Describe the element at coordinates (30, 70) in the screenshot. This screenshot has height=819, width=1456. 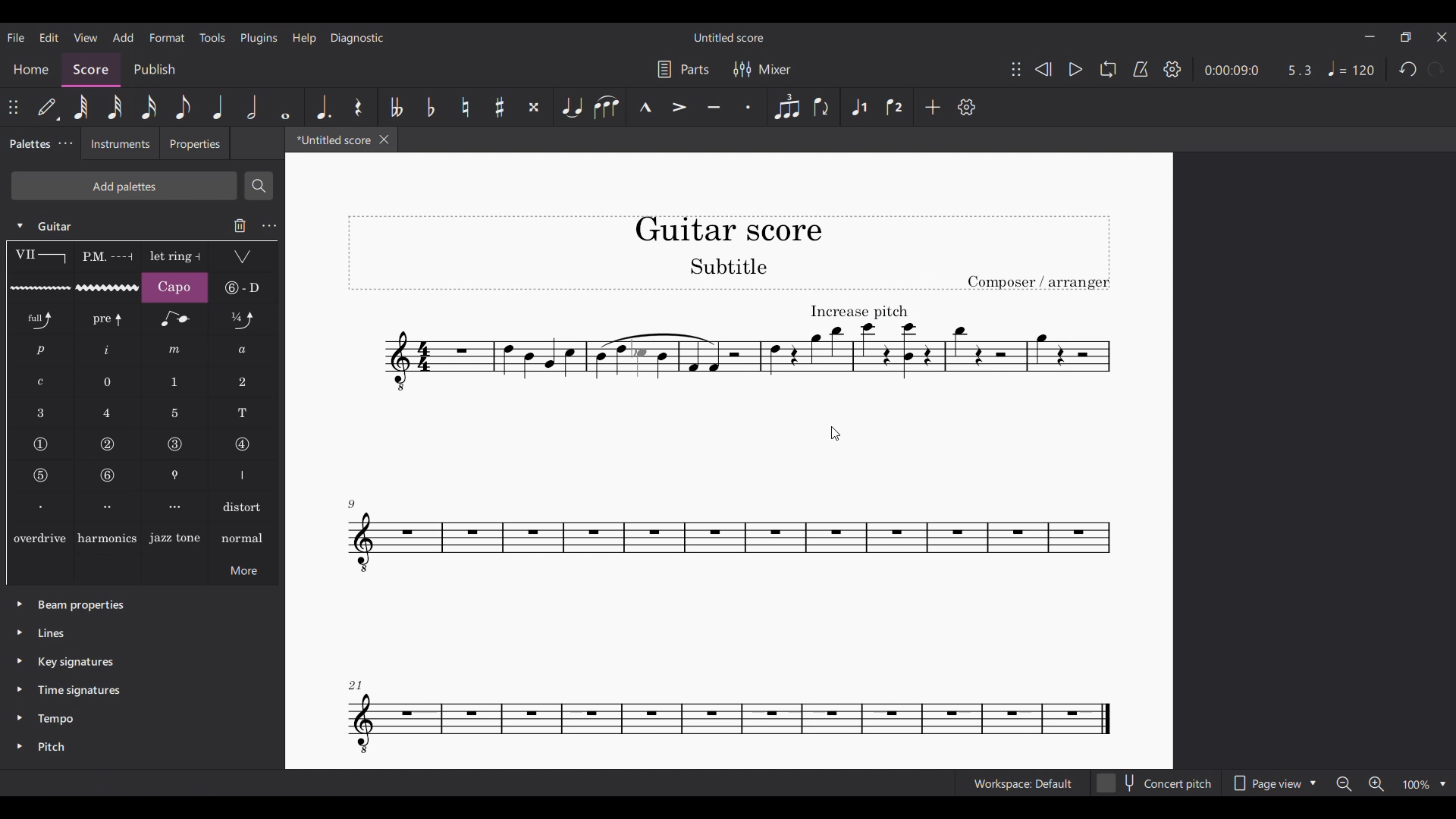
I see `Home` at that location.